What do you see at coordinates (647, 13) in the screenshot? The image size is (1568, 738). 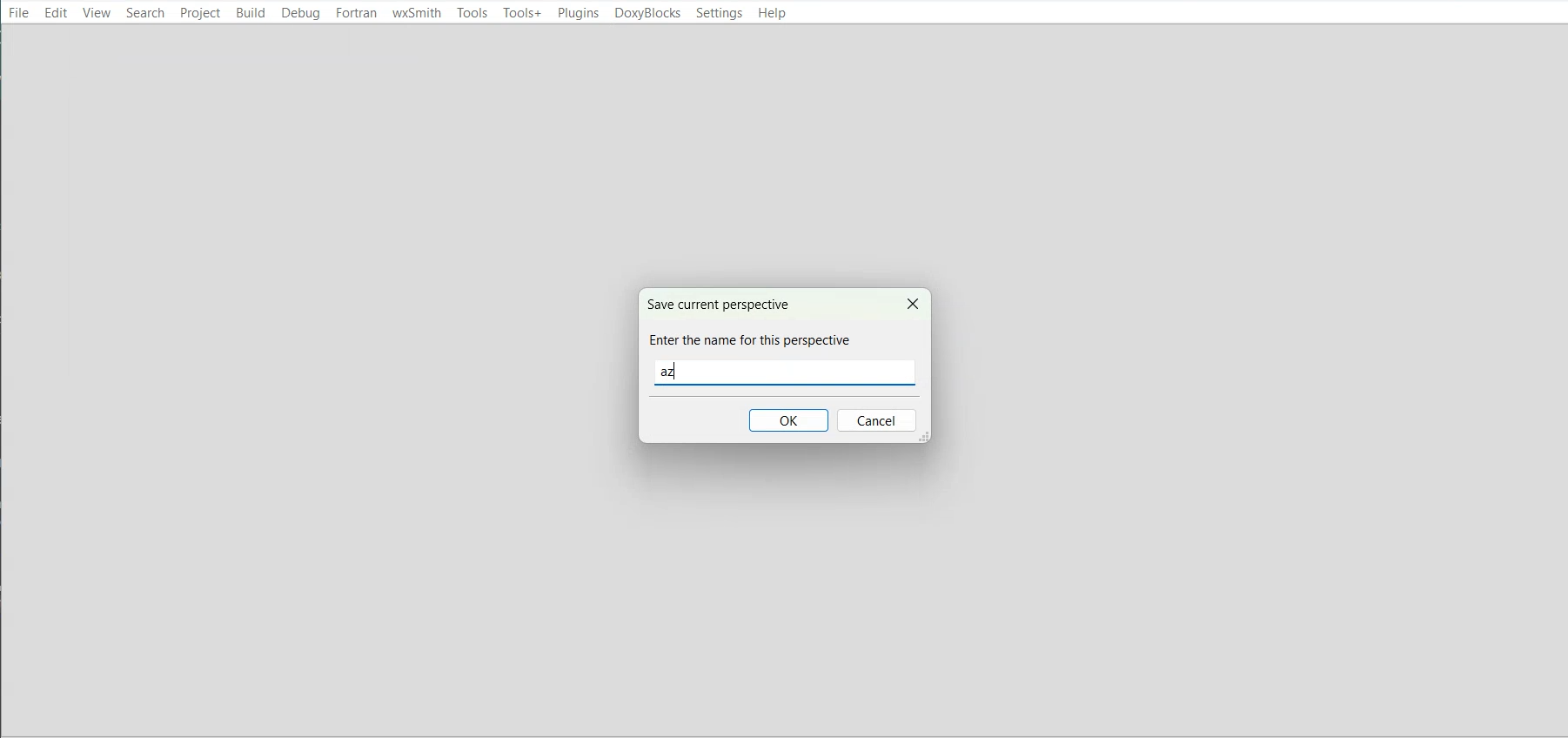 I see `Doxyblocks` at bounding box center [647, 13].